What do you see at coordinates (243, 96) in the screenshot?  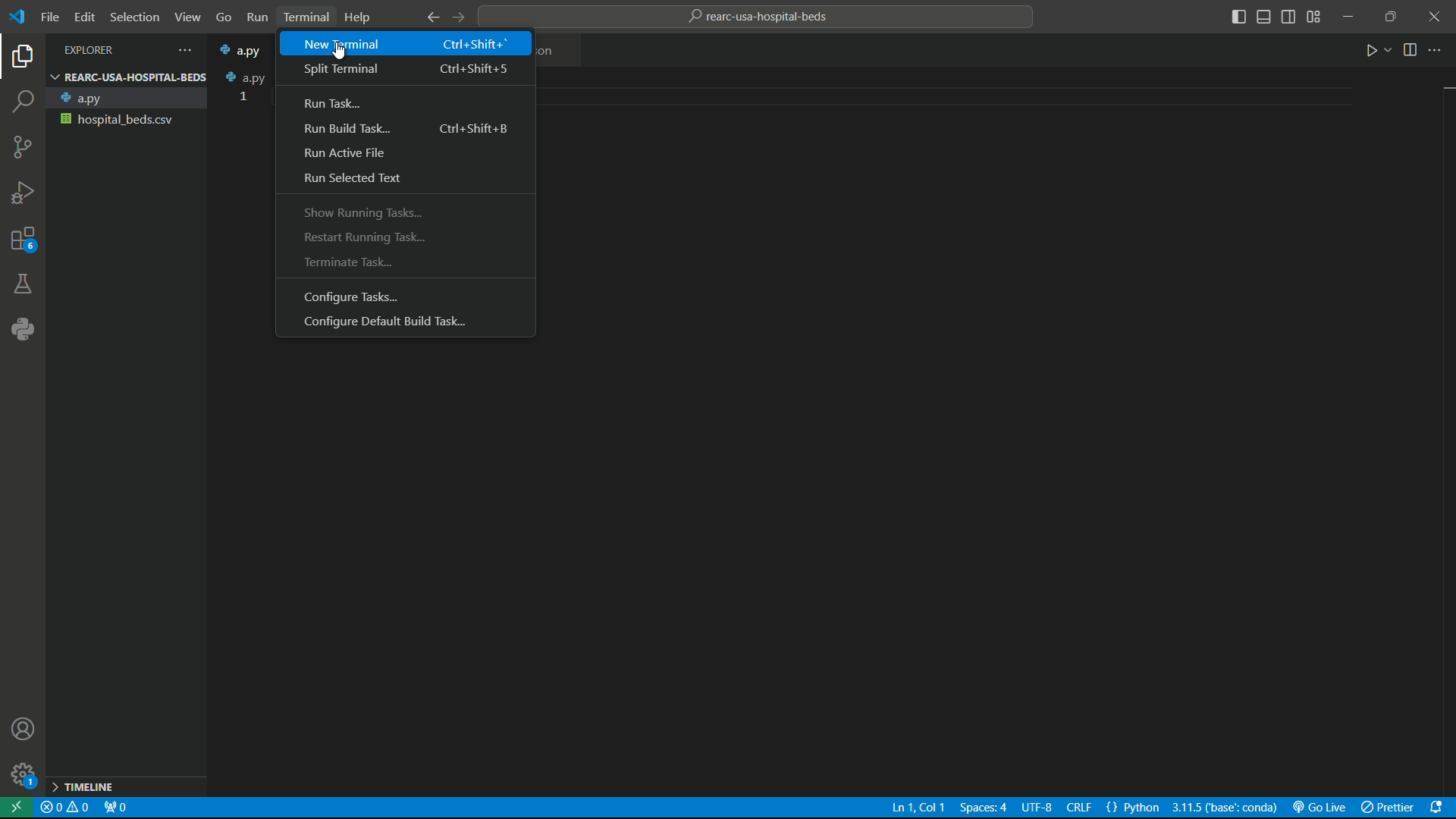 I see `1` at bounding box center [243, 96].